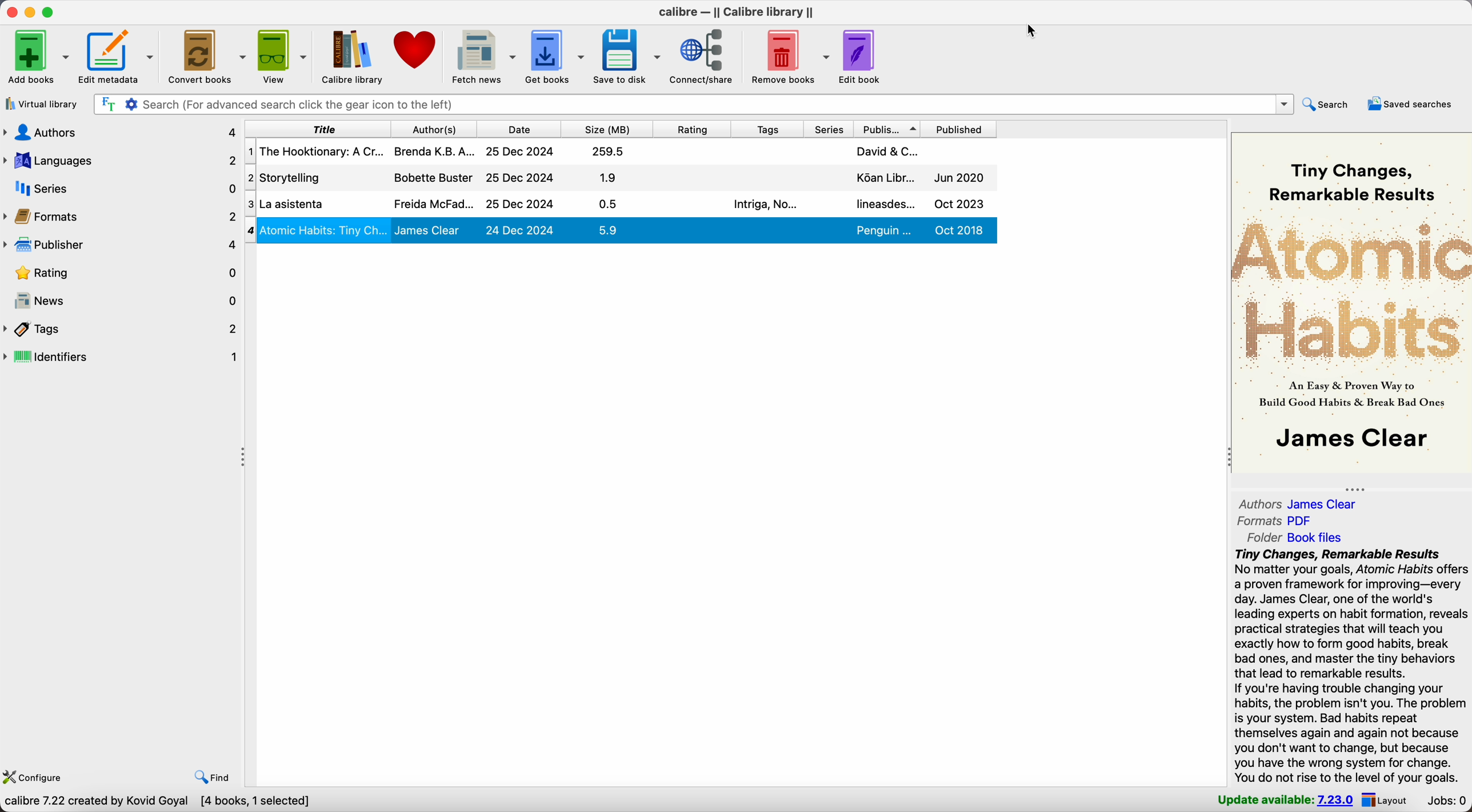 The height and width of the screenshot is (812, 1472). I want to click on the hooktionary: ACr..., so click(321, 151).